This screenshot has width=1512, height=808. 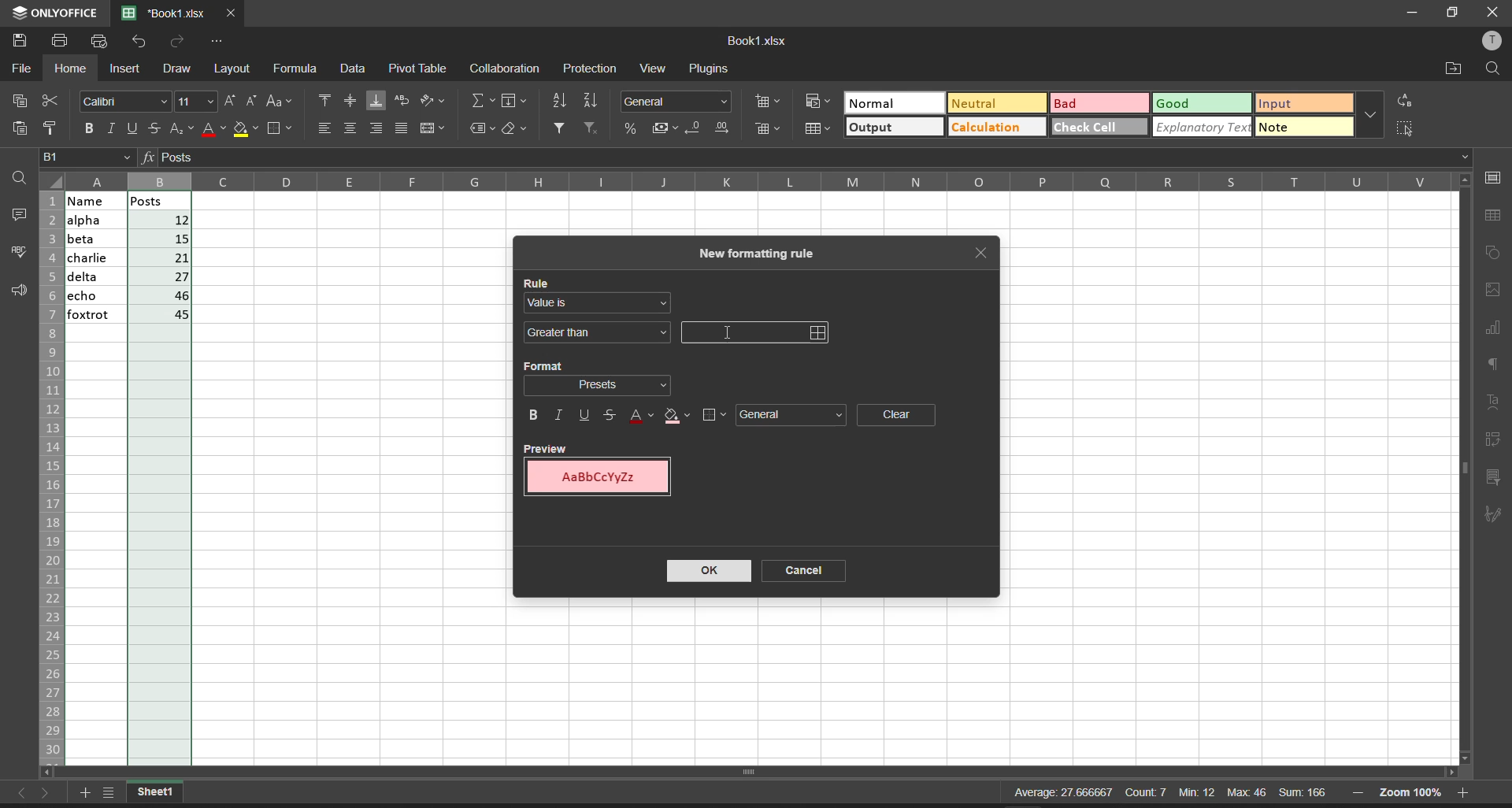 I want to click on scroll up, so click(x=1466, y=182).